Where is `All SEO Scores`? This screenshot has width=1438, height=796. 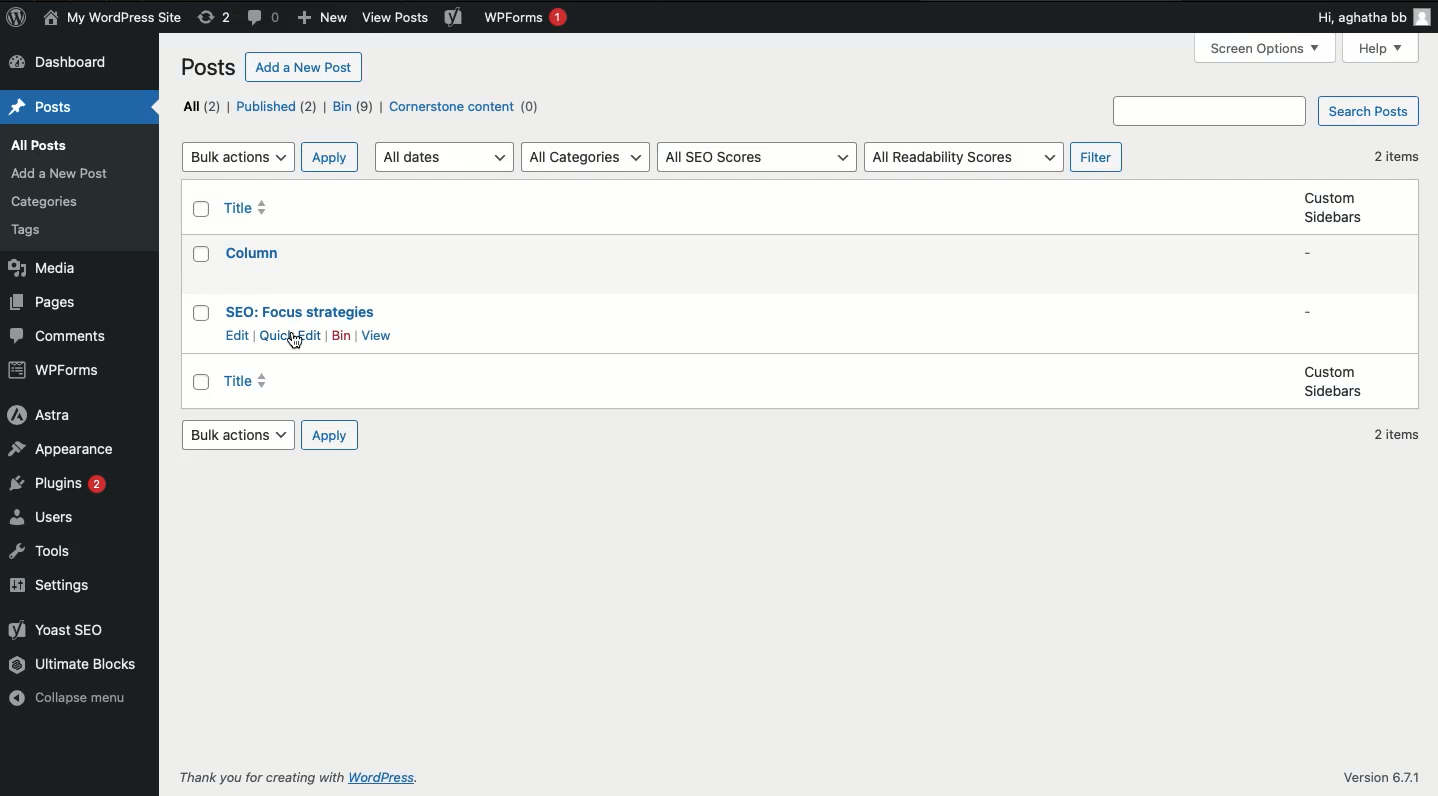 All SEO Scores is located at coordinates (758, 158).